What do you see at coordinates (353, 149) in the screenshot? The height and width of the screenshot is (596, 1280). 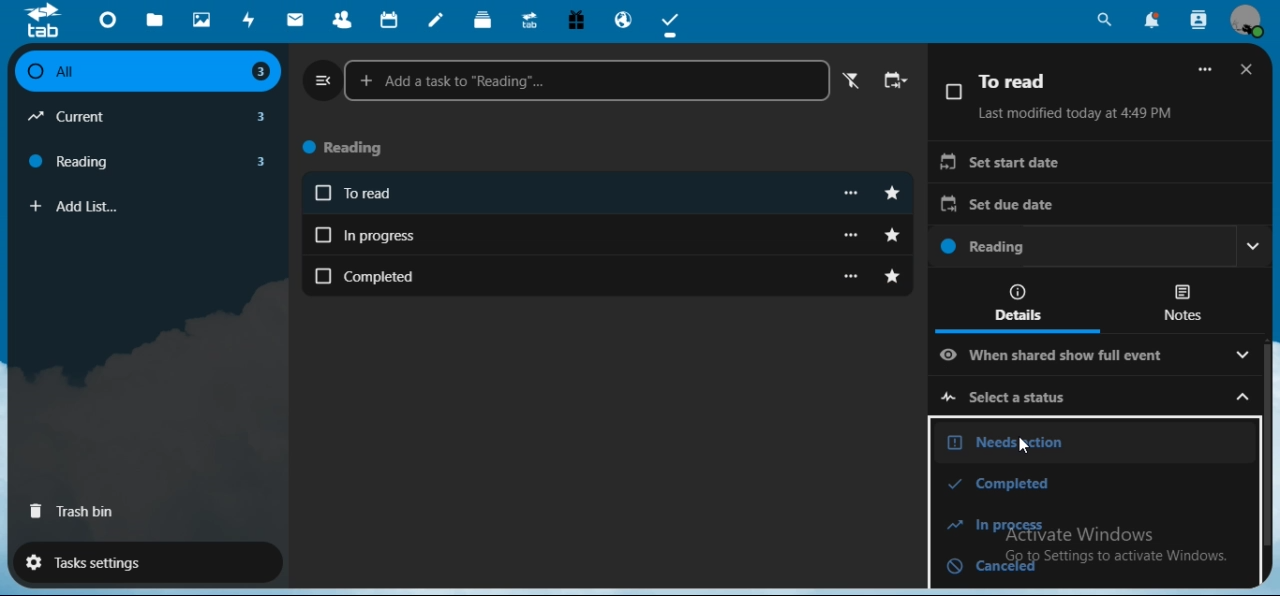 I see `reading` at bounding box center [353, 149].